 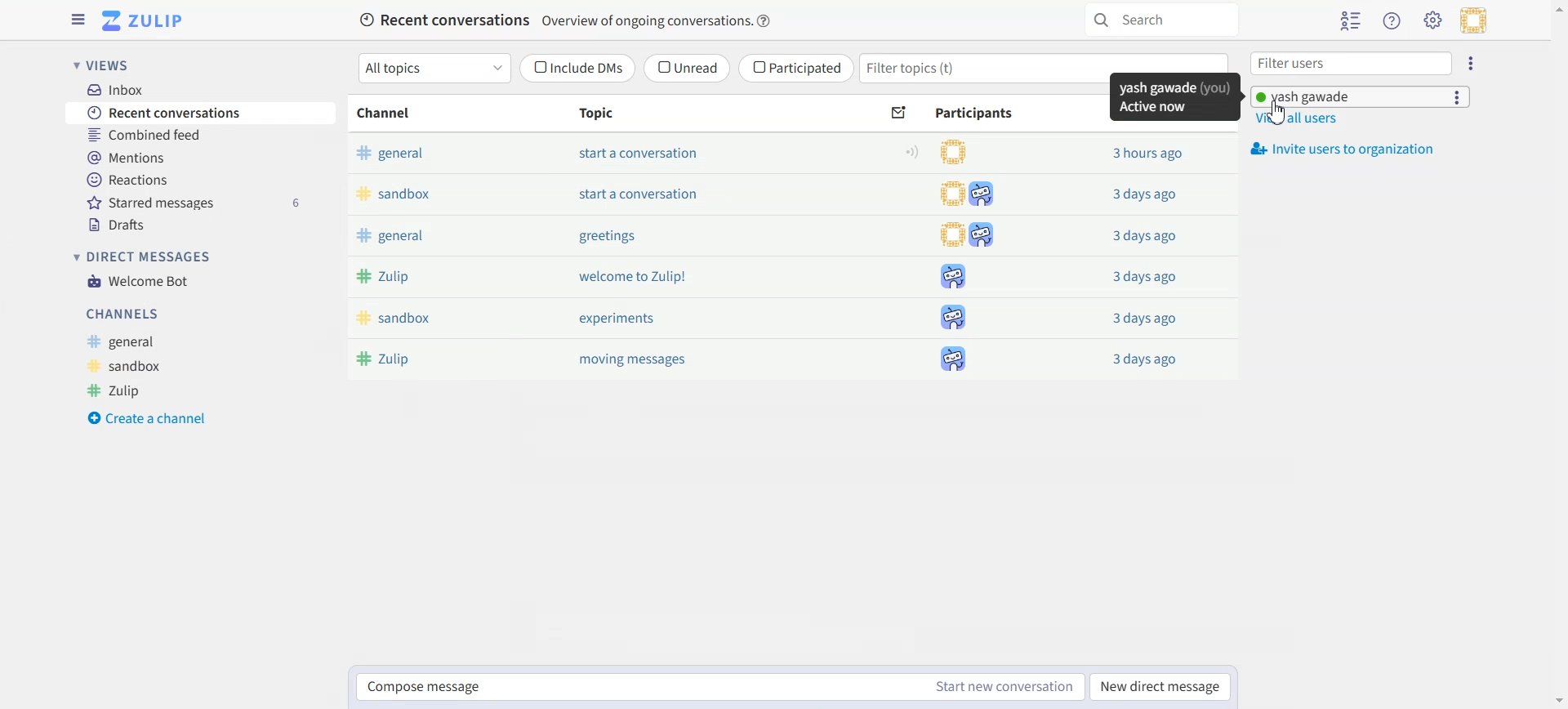 I want to click on general, so click(x=391, y=237).